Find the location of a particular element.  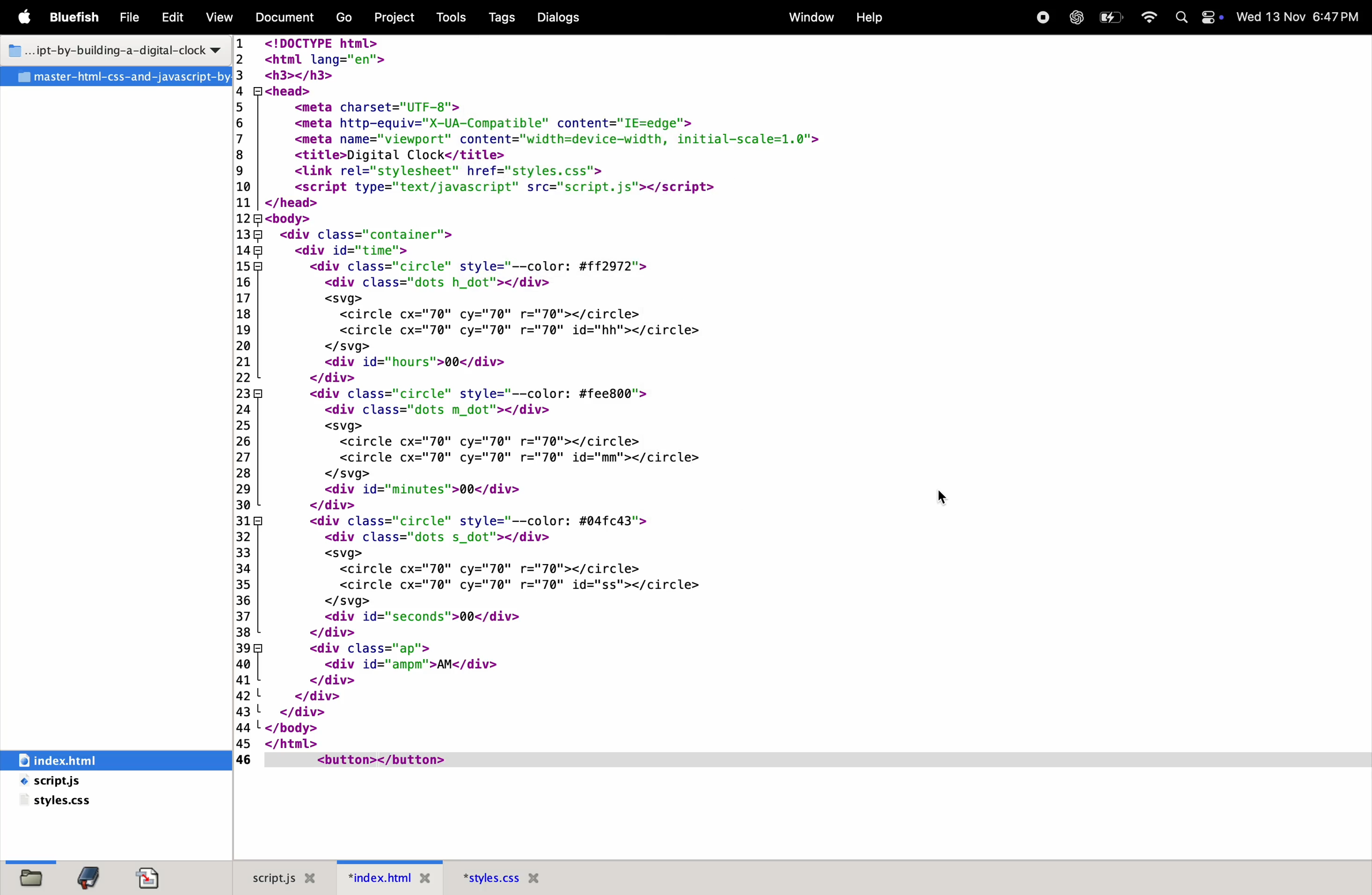

index.html is located at coordinates (89, 759).